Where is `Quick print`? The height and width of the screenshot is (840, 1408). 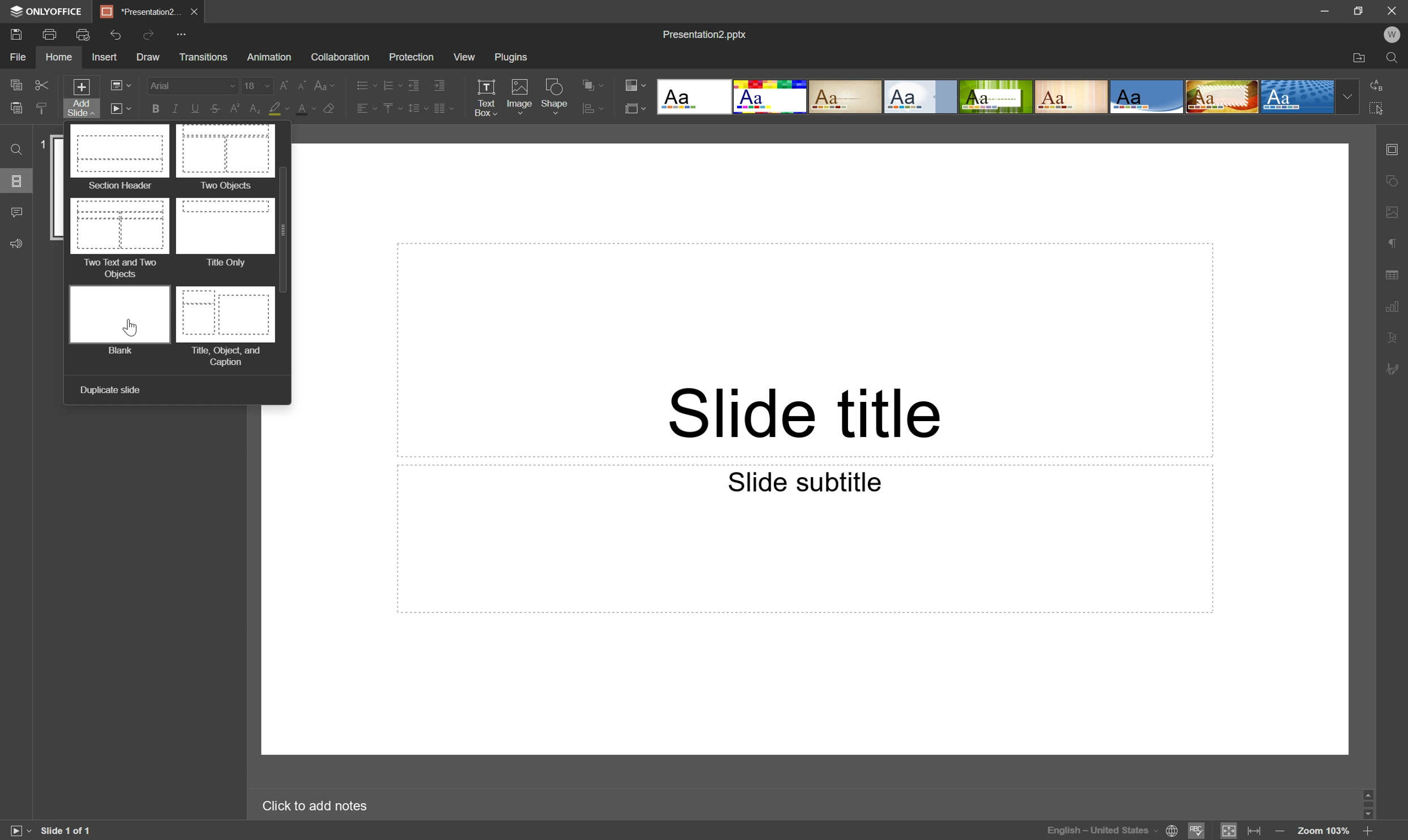 Quick print is located at coordinates (84, 33).